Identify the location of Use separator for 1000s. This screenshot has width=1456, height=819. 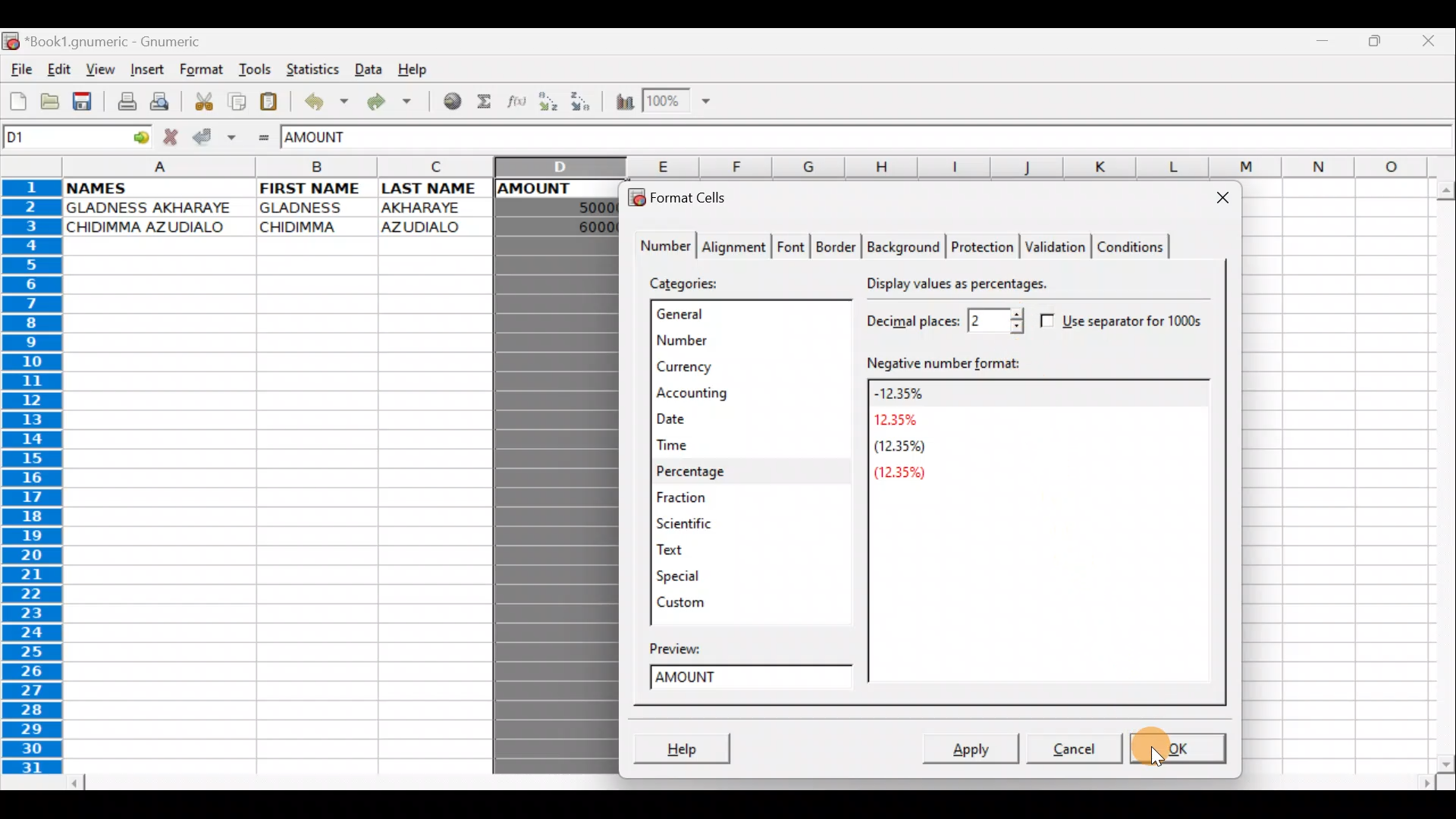
(1127, 322).